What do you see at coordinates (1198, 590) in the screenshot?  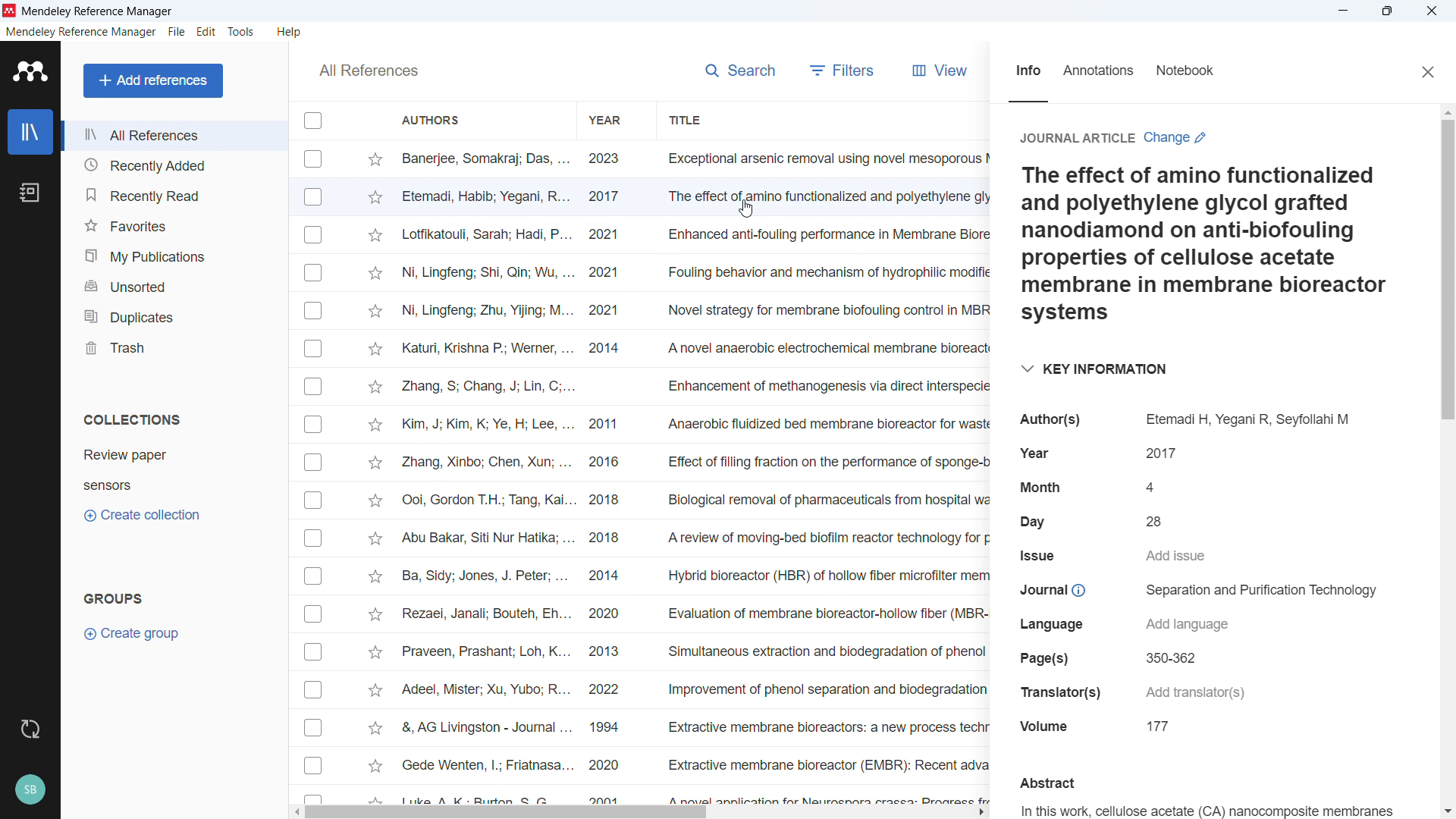 I see `Journal ` at bounding box center [1198, 590].